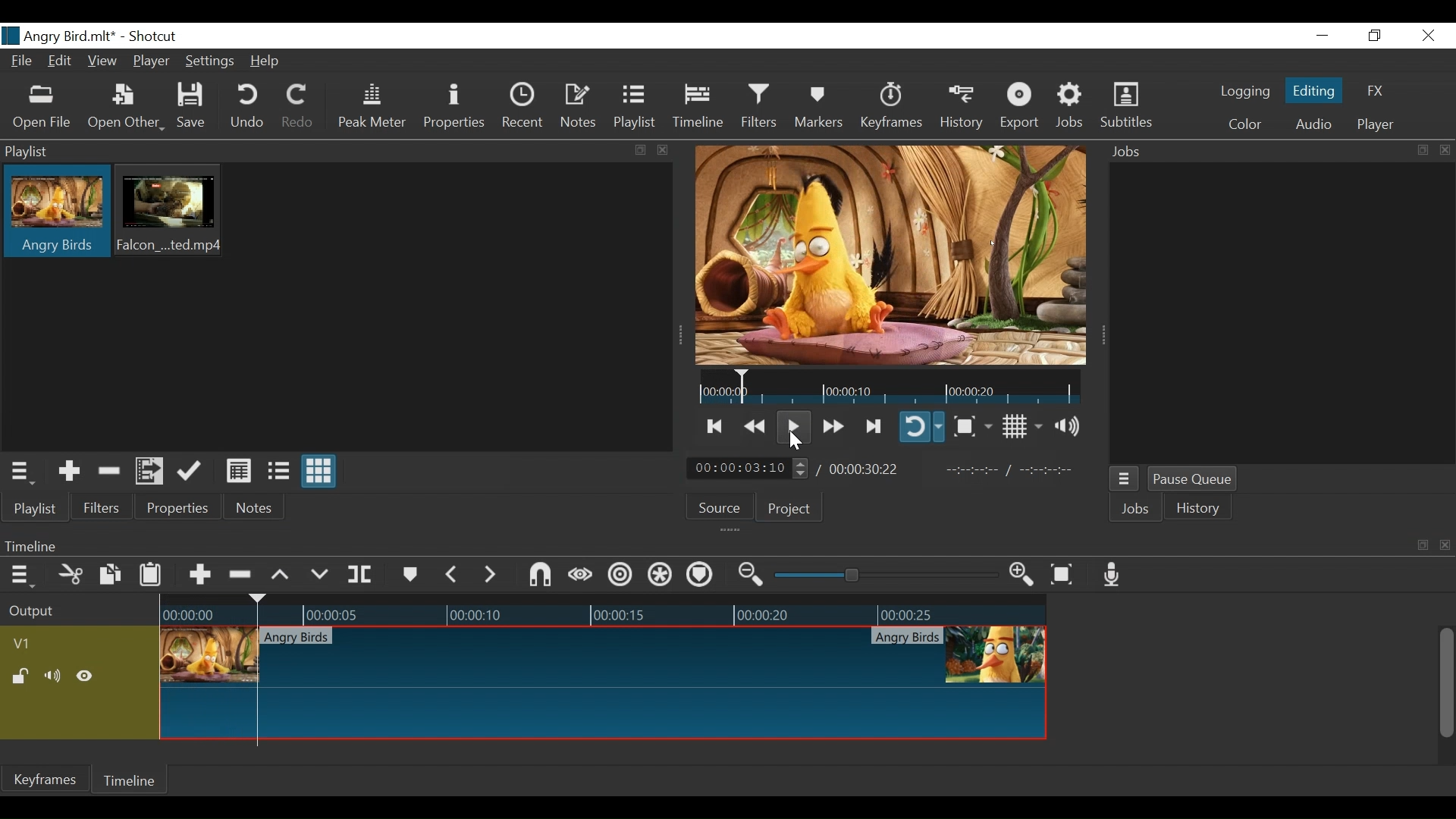  Describe the element at coordinates (151, 574) in the screenshot. I see `Paste` at that location.